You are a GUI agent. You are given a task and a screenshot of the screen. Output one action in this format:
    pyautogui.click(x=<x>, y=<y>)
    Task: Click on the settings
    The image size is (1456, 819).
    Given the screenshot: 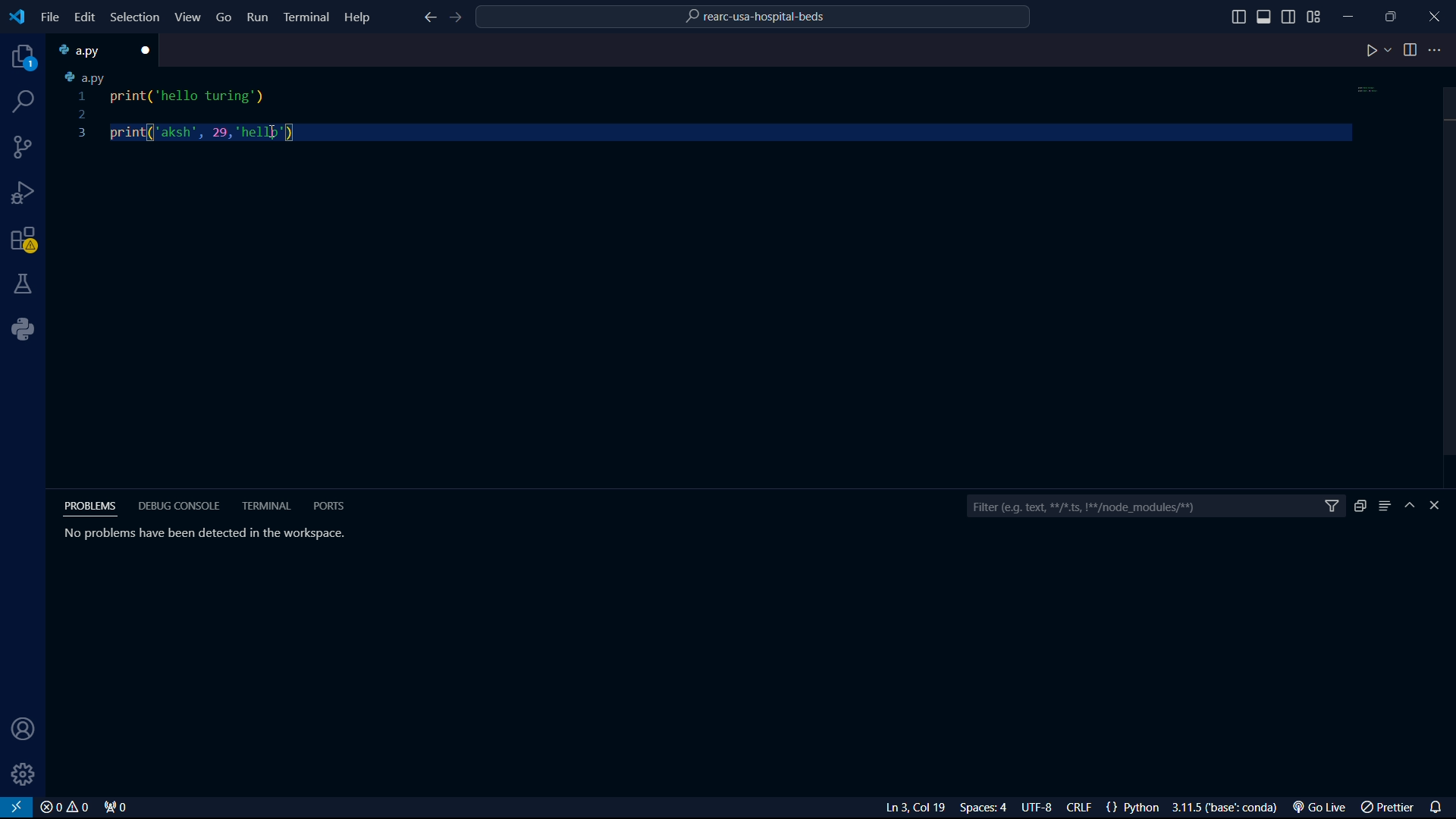 What is the action you would take?
    pyautogui.click(x=24, y=774)
    